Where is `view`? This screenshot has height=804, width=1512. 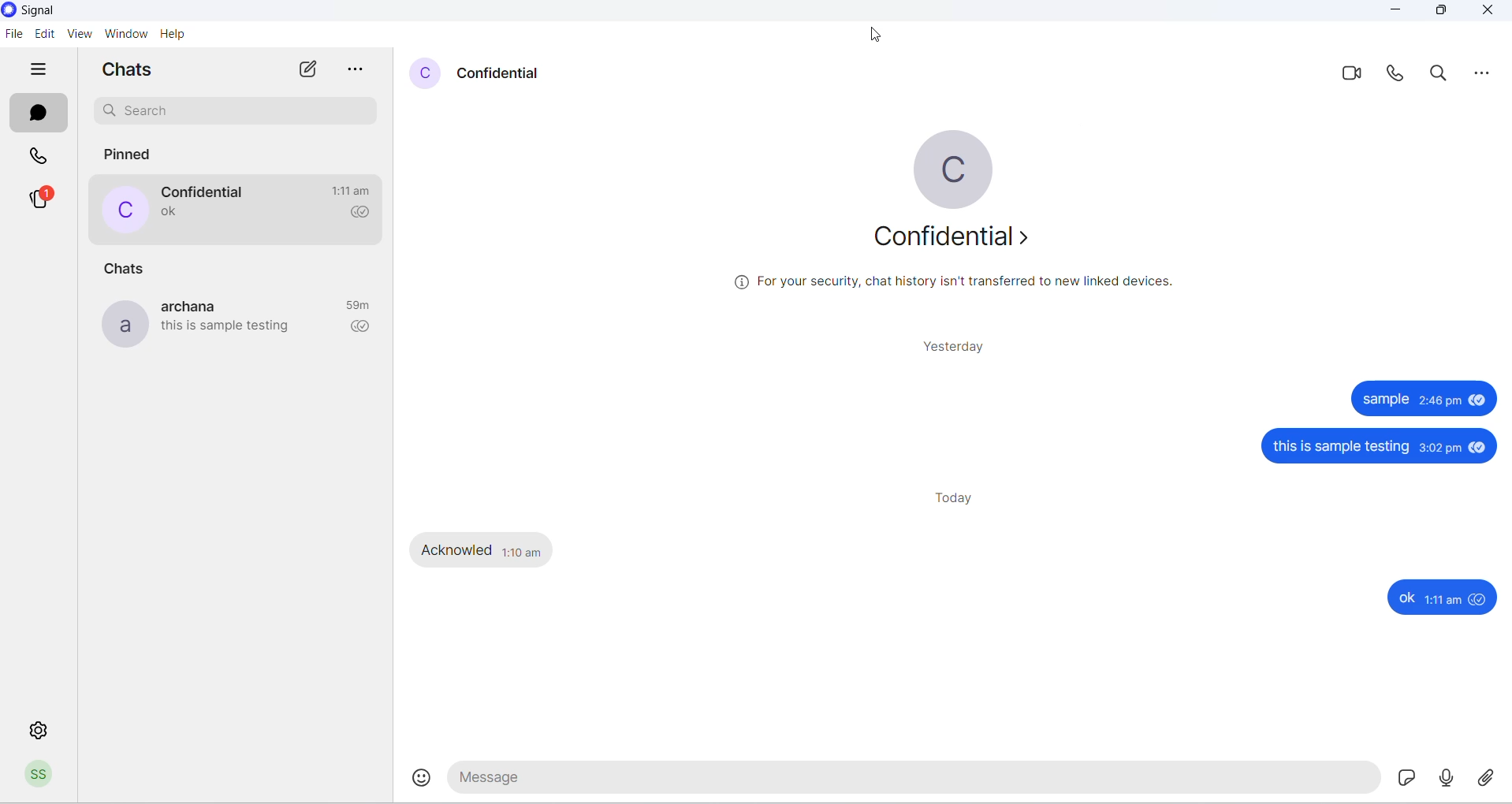
view is located at coordinates (80, 35).